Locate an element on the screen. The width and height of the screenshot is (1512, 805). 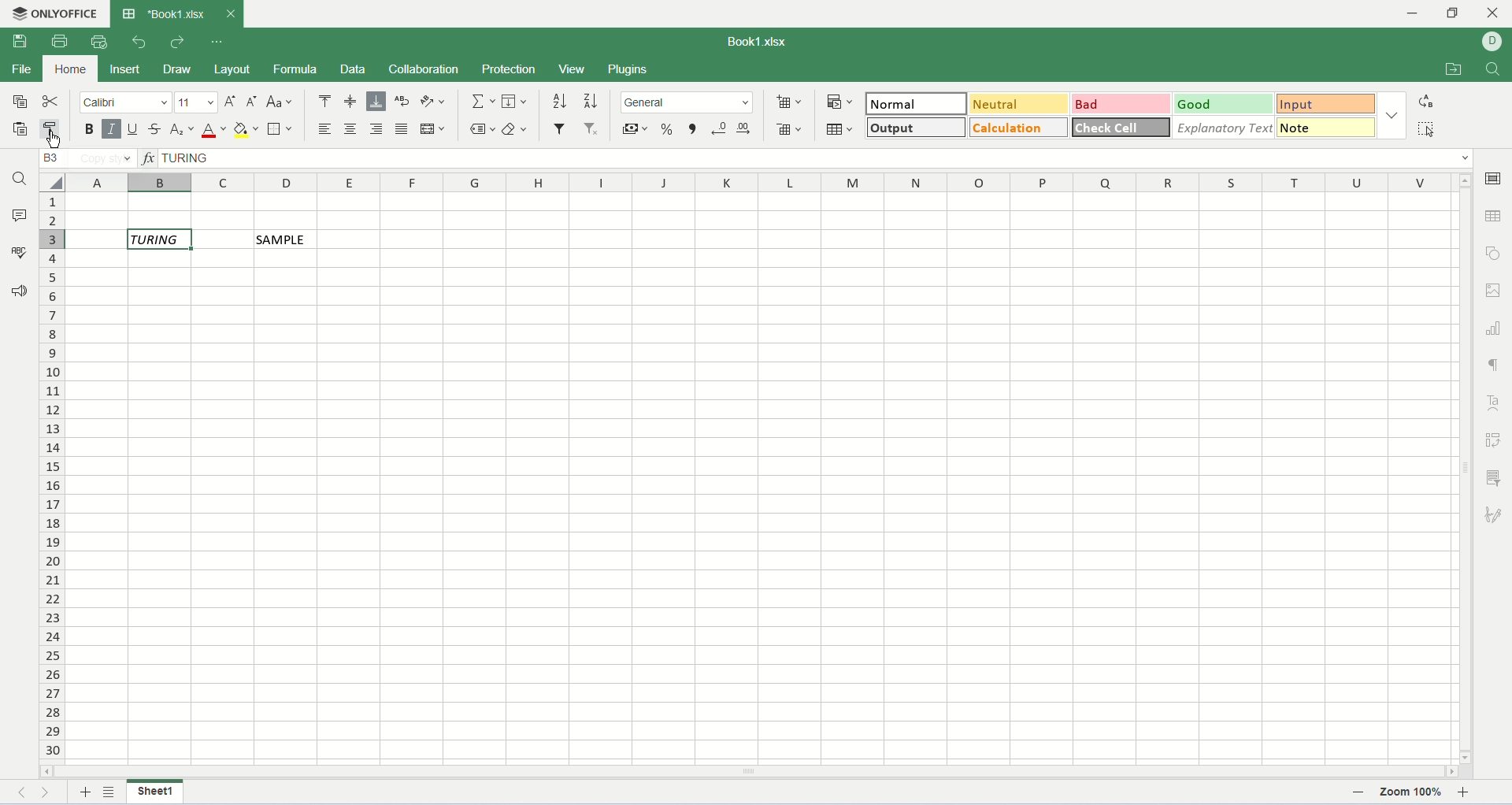
paragraph settings is located at coordinates (1495, 365).